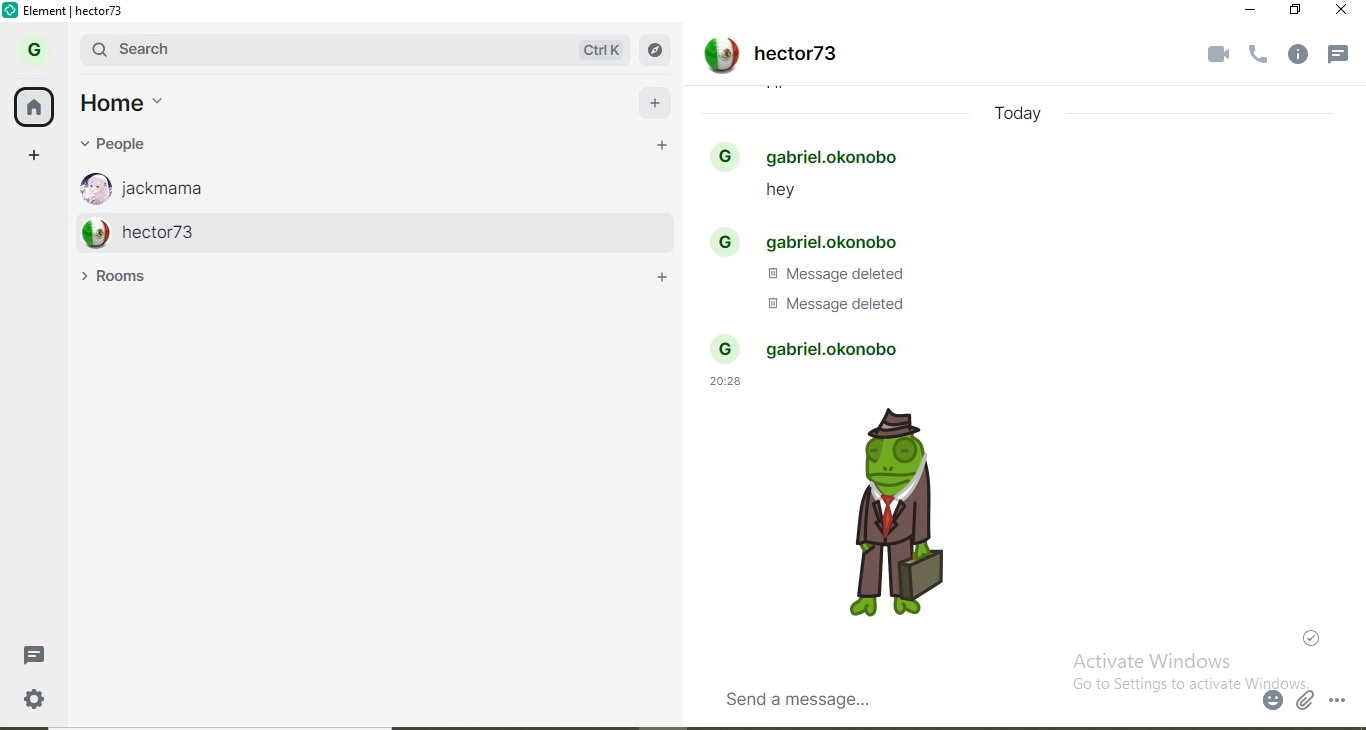 Image resolution: width=1366 pixels, height=730 pixels. Describe the element at coordinates (35, 153) in the screenshot. I see `add space` at that location.